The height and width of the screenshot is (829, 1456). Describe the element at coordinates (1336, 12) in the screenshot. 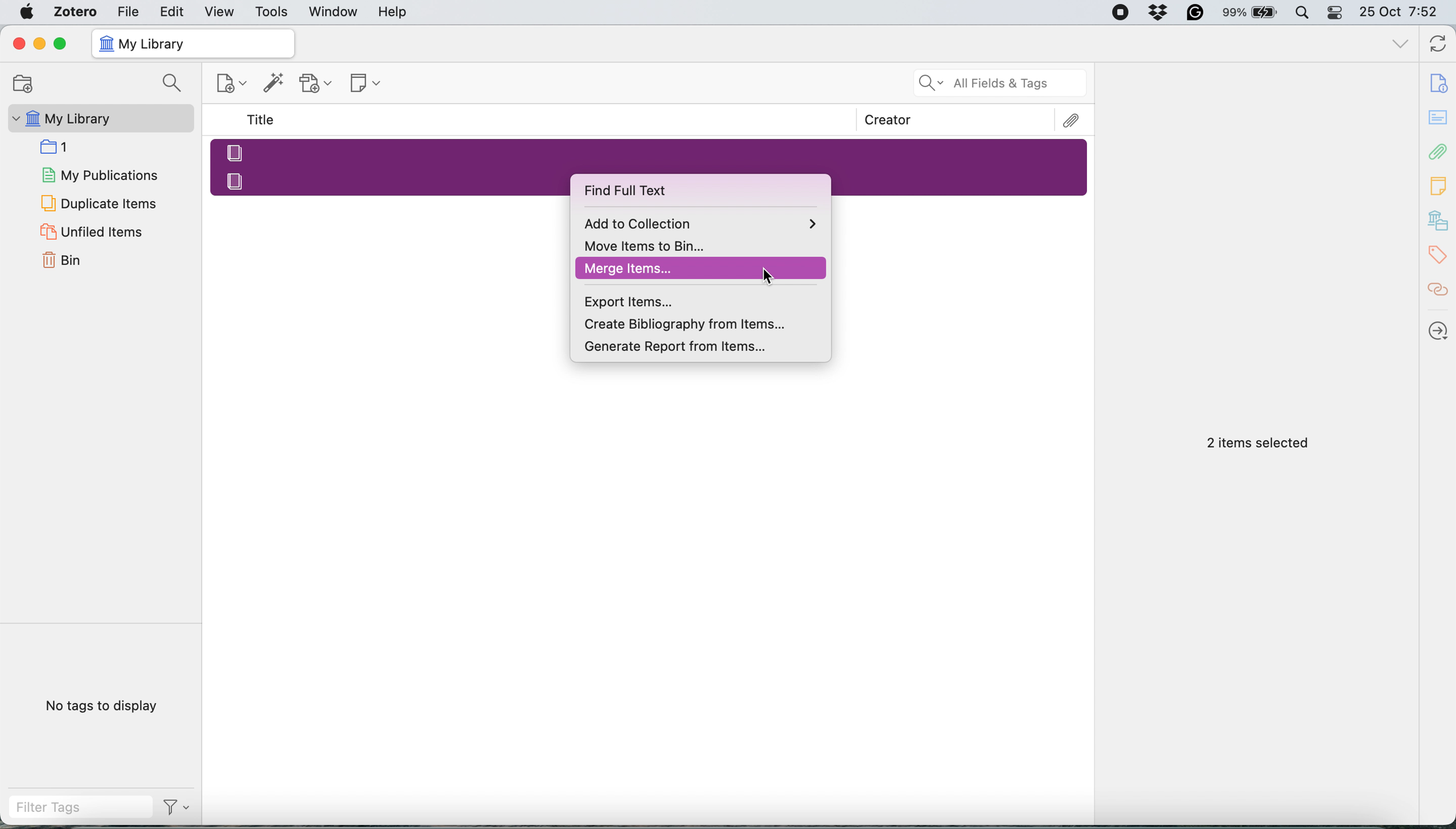

I see `Control Centre` at that location.